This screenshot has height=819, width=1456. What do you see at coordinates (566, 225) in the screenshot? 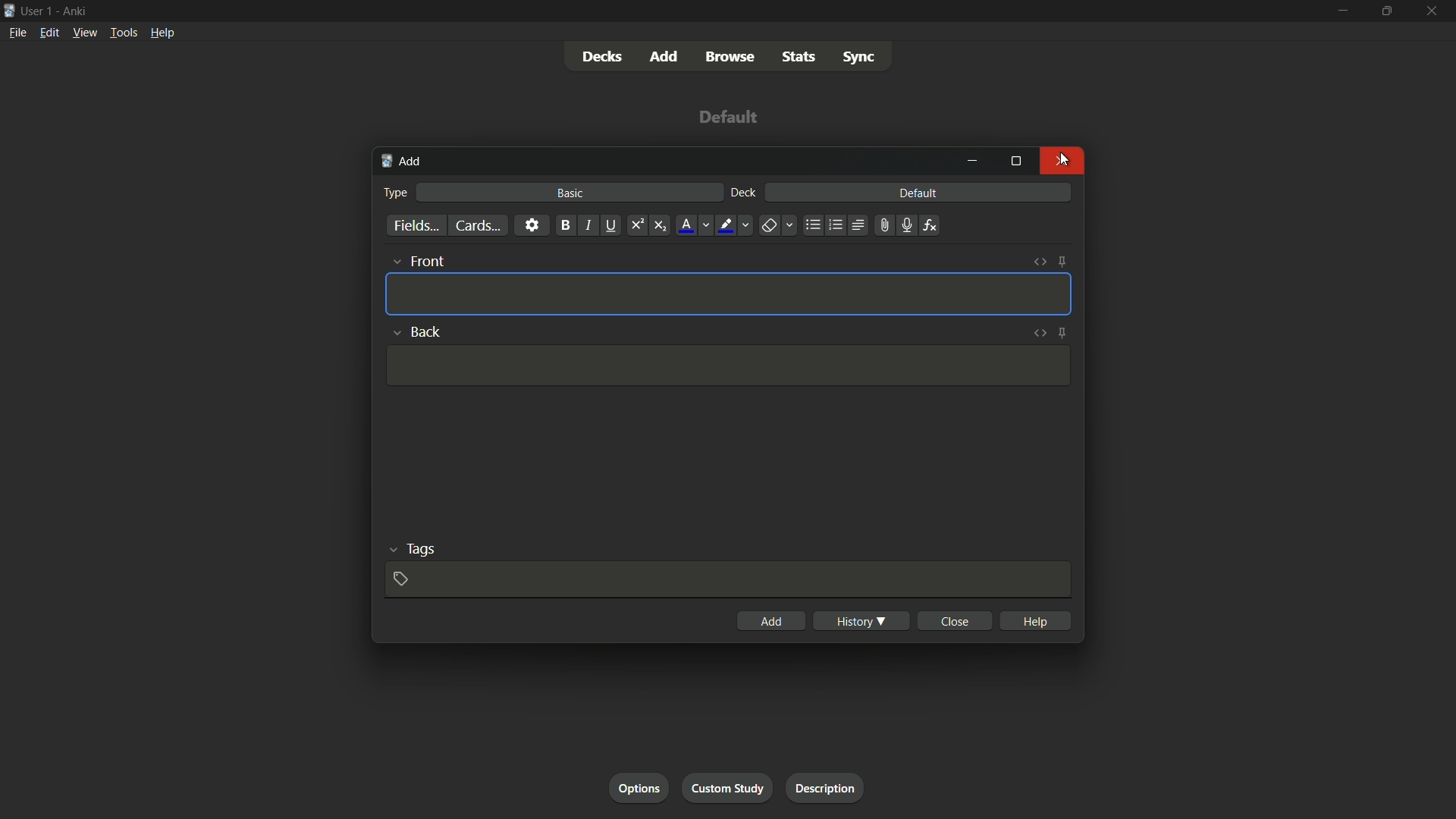
I see `bold` at bounding box center [566, 225].